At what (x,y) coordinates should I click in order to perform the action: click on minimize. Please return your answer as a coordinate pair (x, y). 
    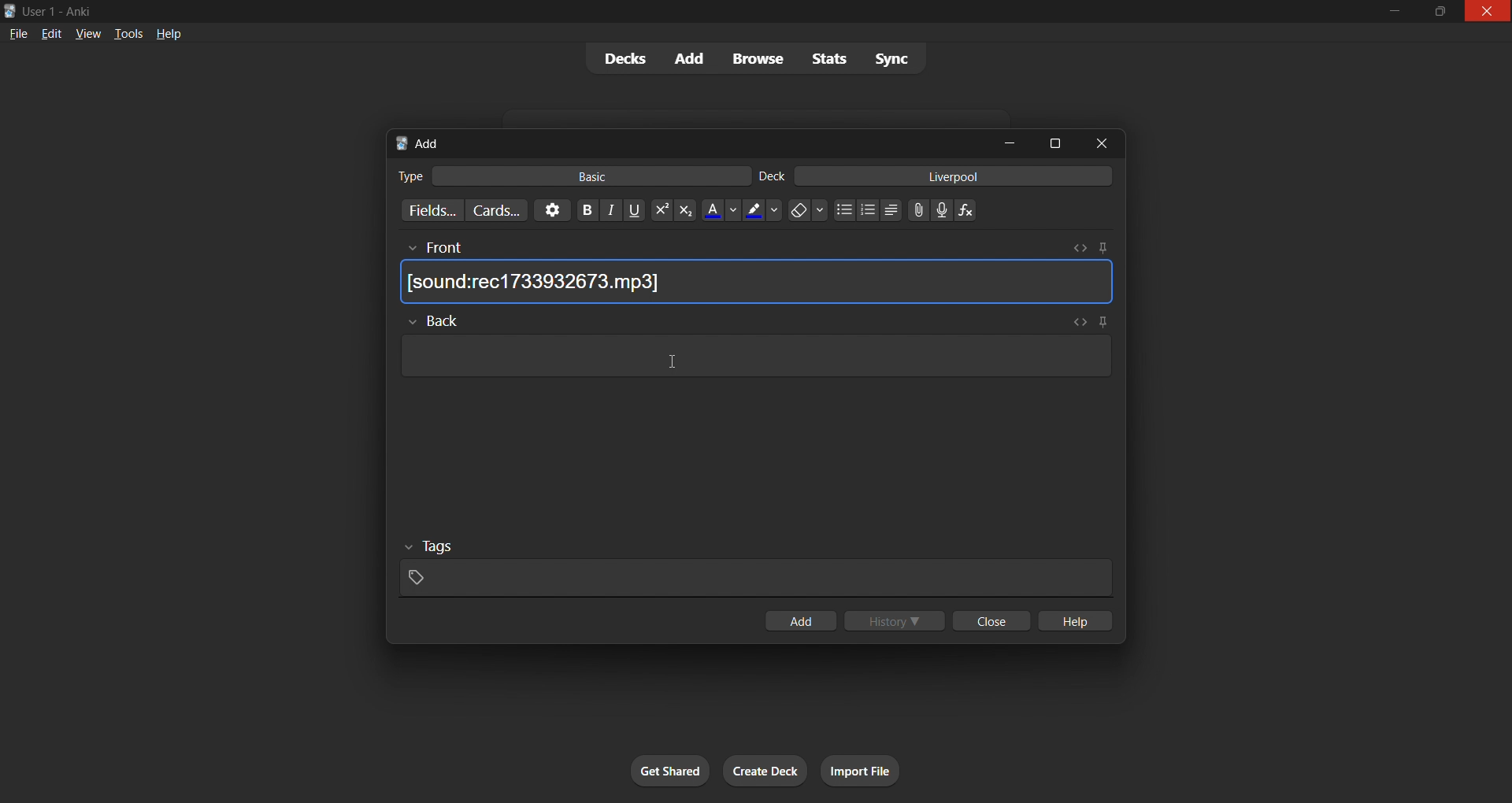
    Looking at the image, I should click on (1013, 142).